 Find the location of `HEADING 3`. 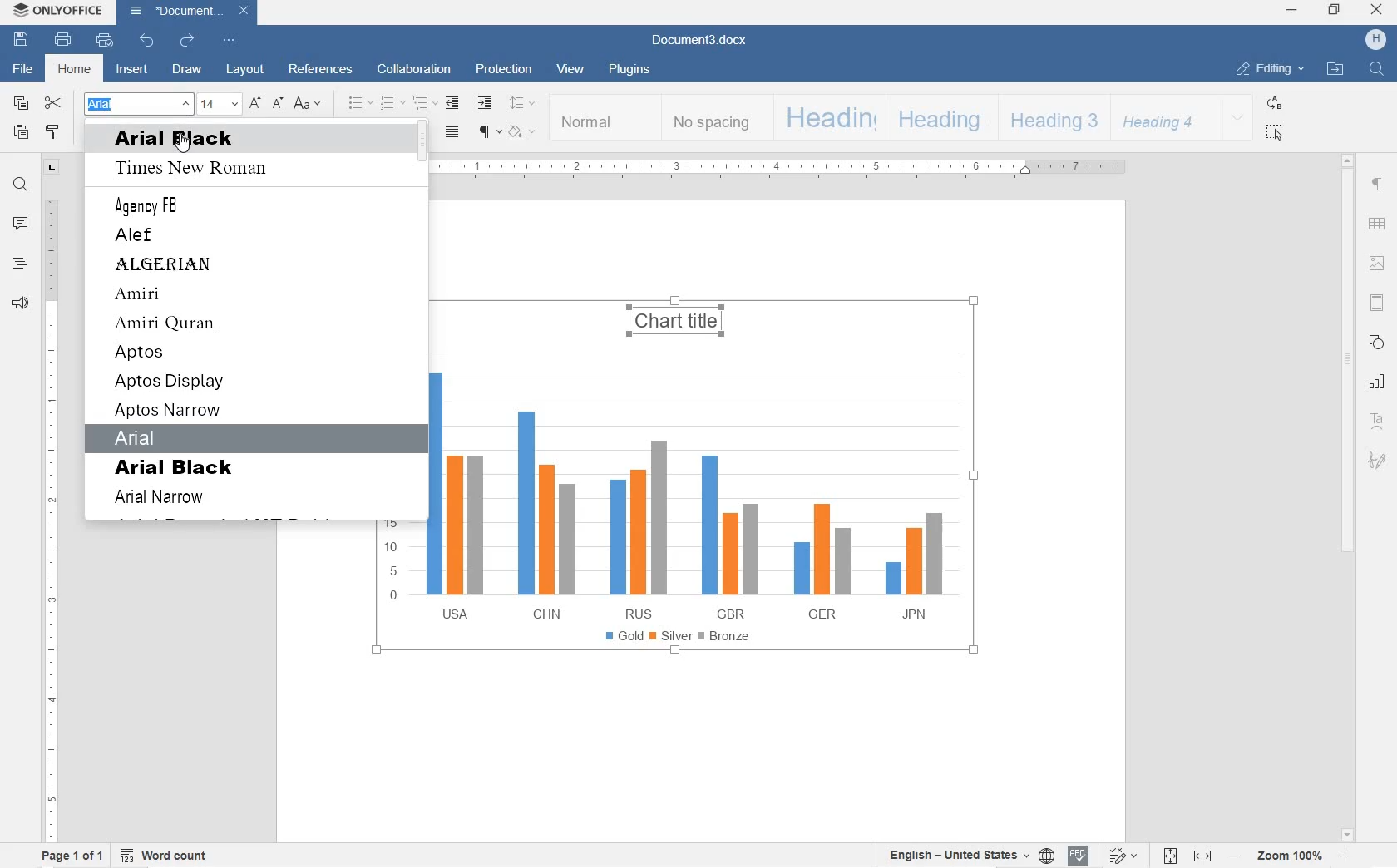

HEADING 3 is located at coordinates (1051, 118).